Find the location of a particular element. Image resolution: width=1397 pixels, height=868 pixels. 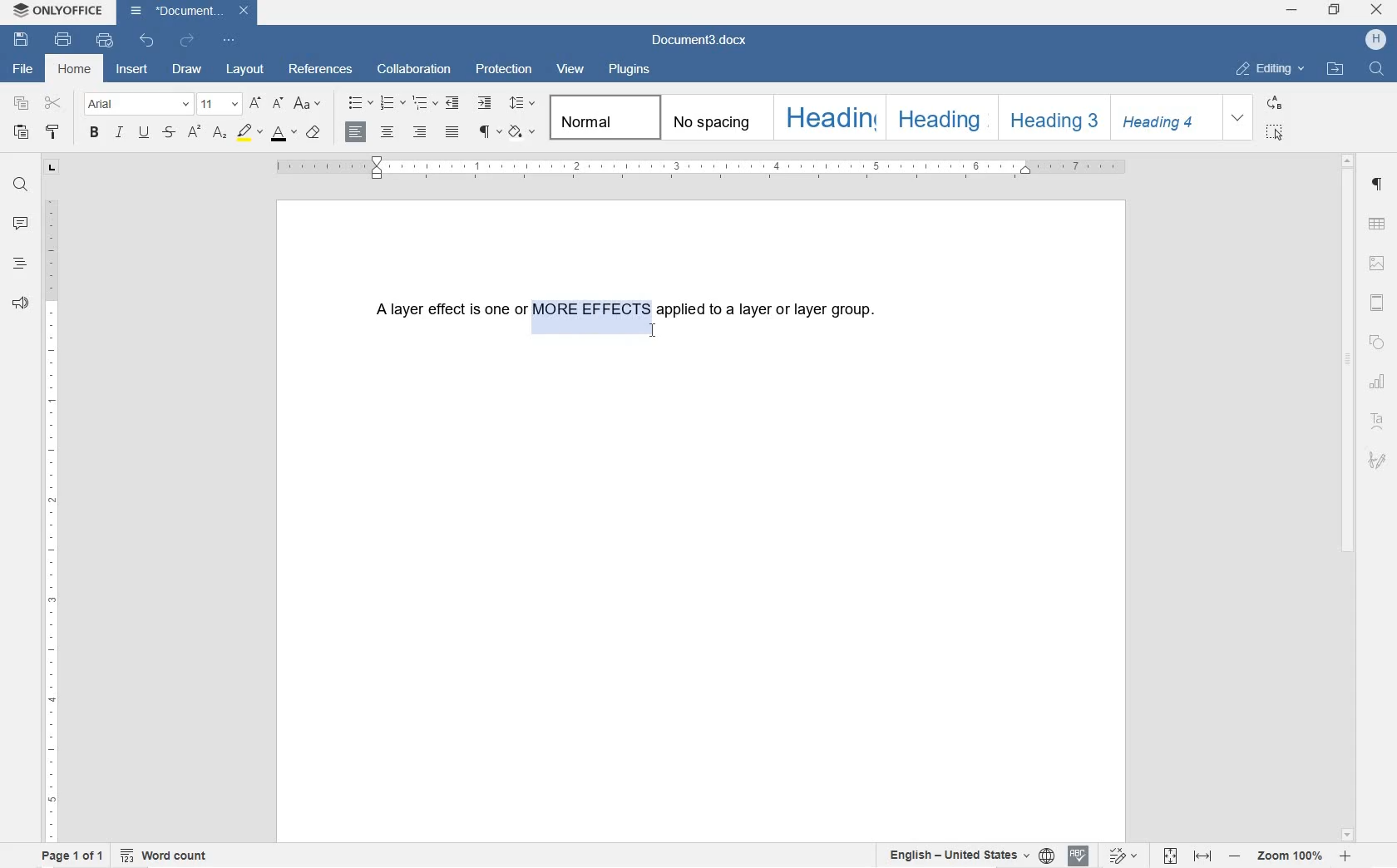

RULER is located at coordinates (702, 169).